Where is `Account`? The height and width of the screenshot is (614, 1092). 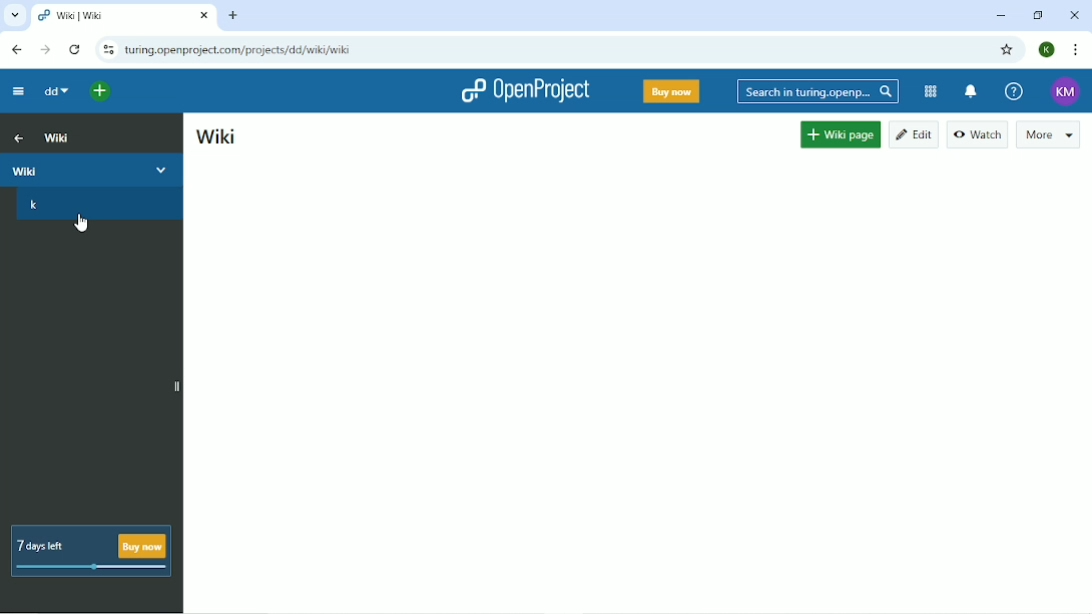 Account is located at coordinates (1063, 90).